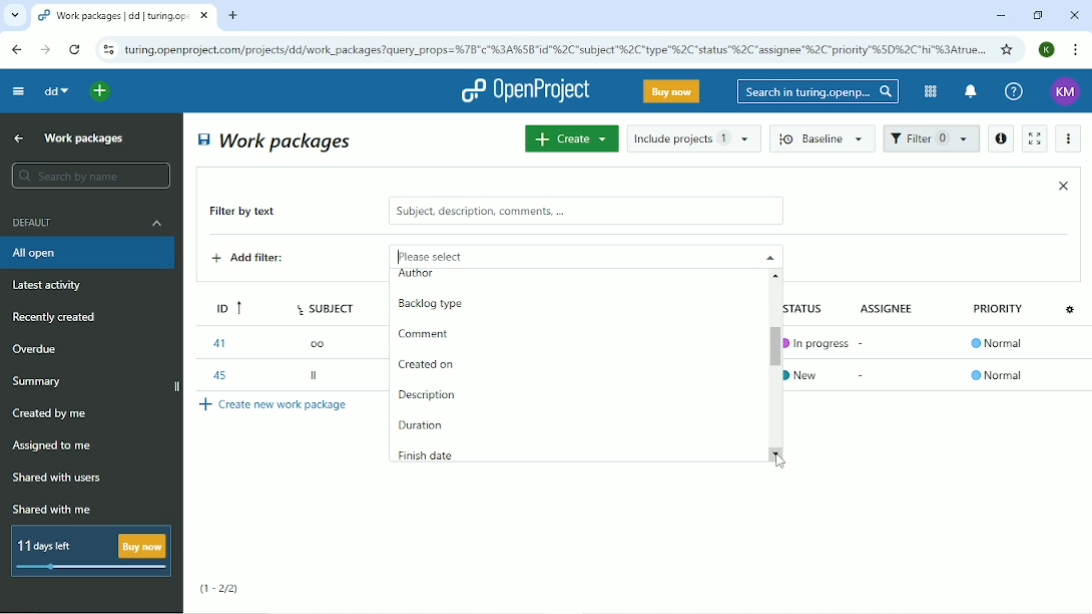  I want to click on Activate zen mode, so click(1033, 138).